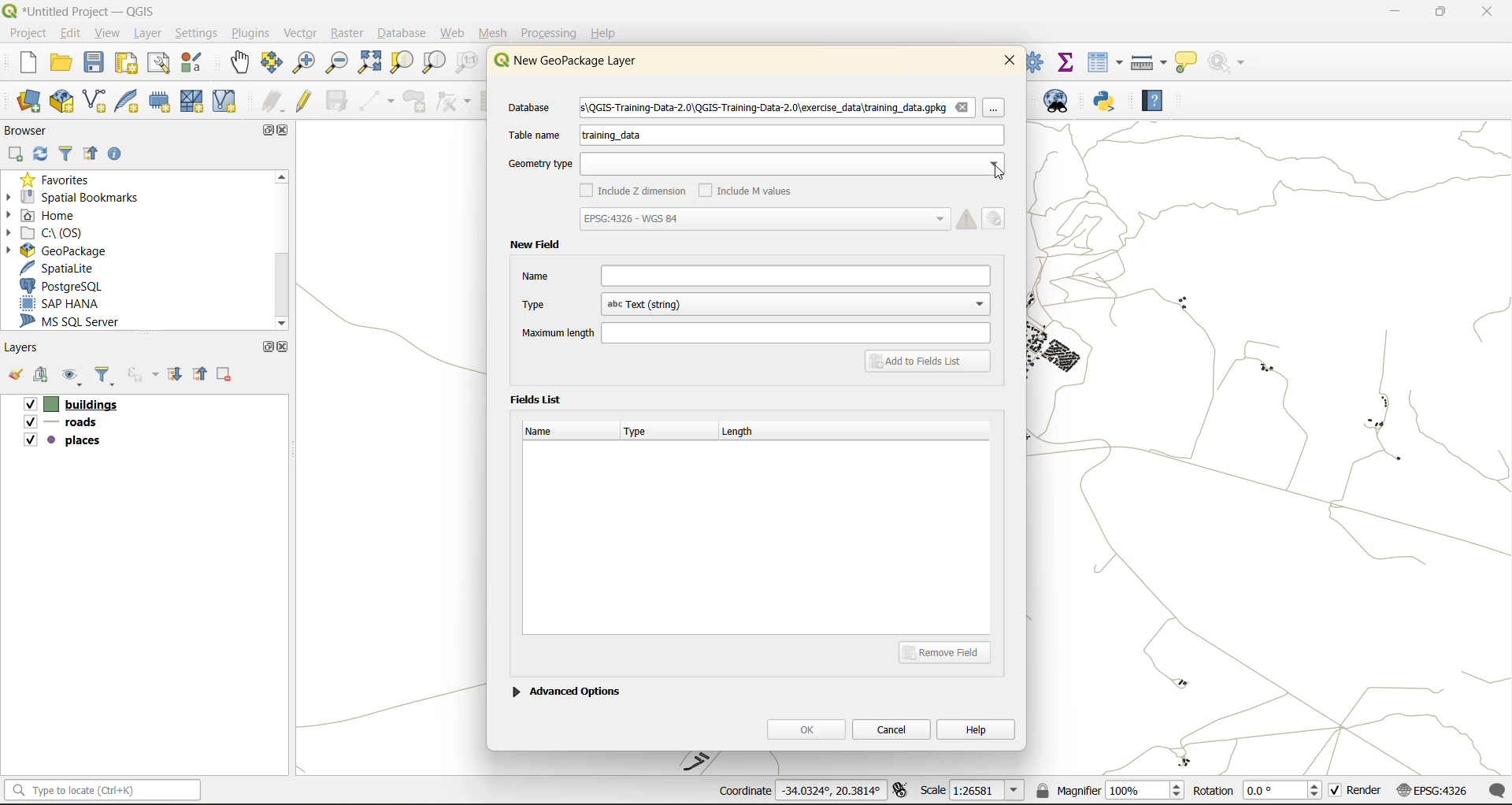 The width and height of the screenshot is (1512, 805). Describe the element at coordinates (902, 792) in the screenshot. I see `toggle extents` at that location.